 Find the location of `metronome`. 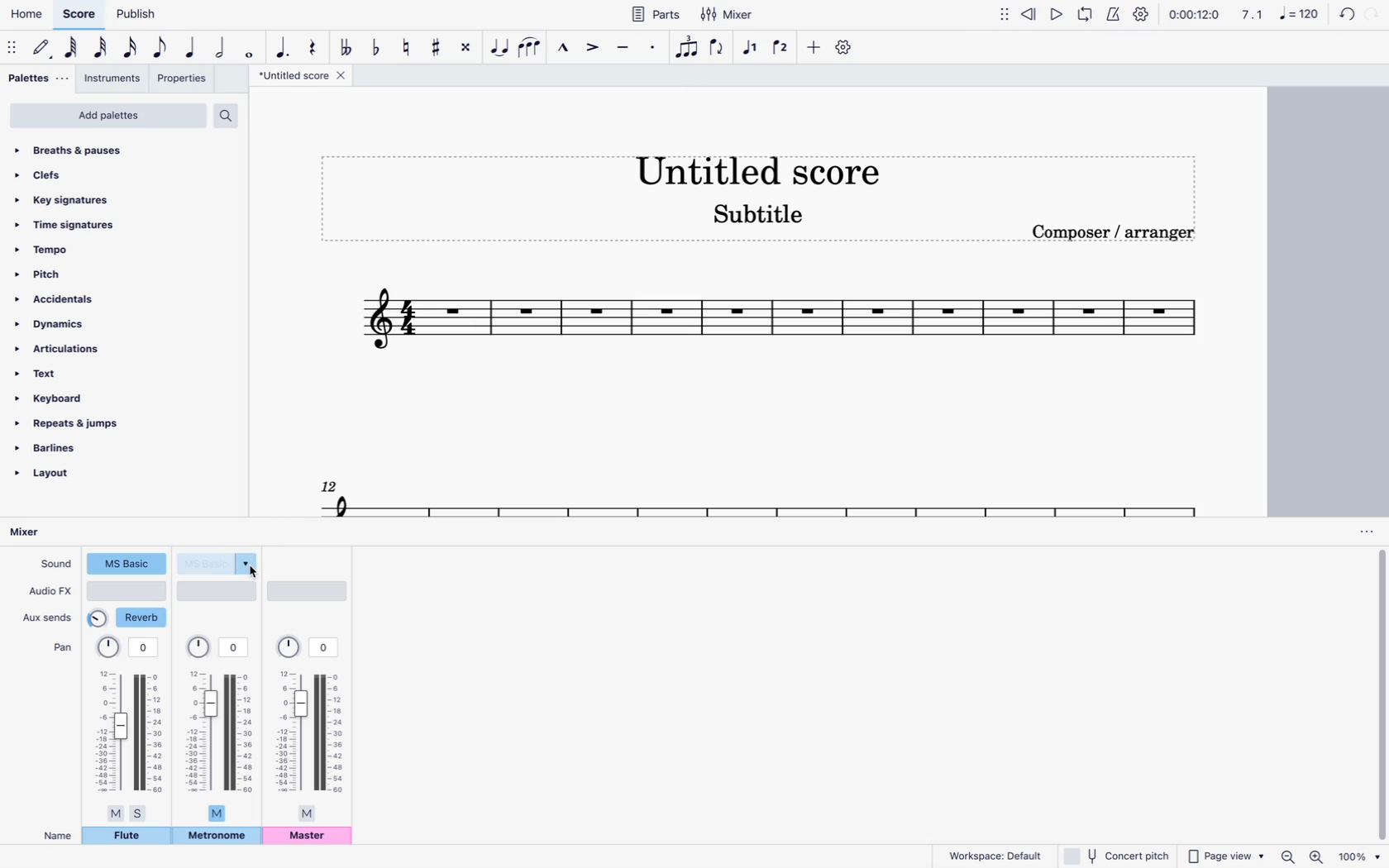

metronome is located at coordinates (1116, 14).